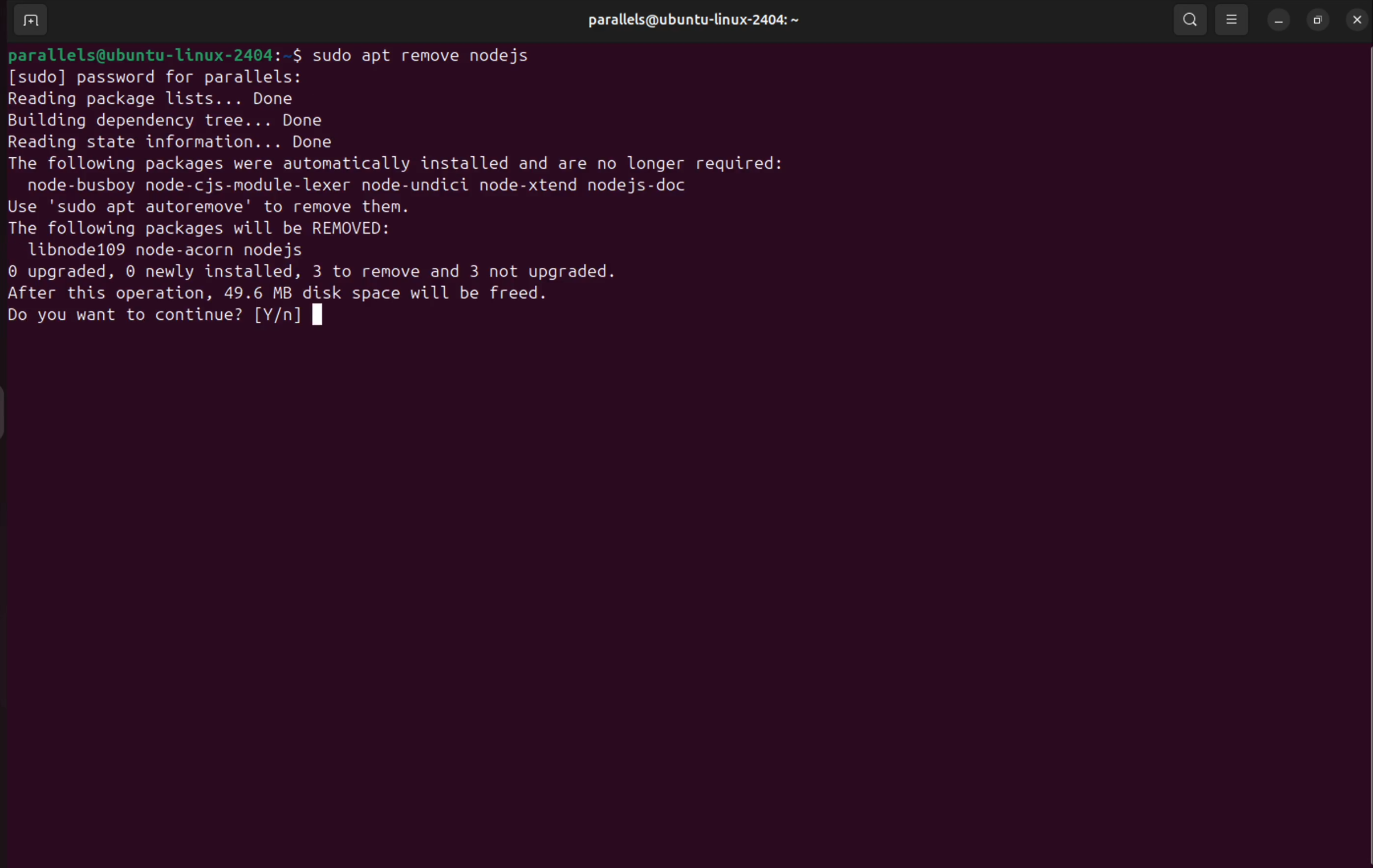 The height and width of the screenshot is (868, 1373). Describe the element at coordinates (163, 315) in the screenshot. I see `Do you want to continue? [Y/n]` at that location.